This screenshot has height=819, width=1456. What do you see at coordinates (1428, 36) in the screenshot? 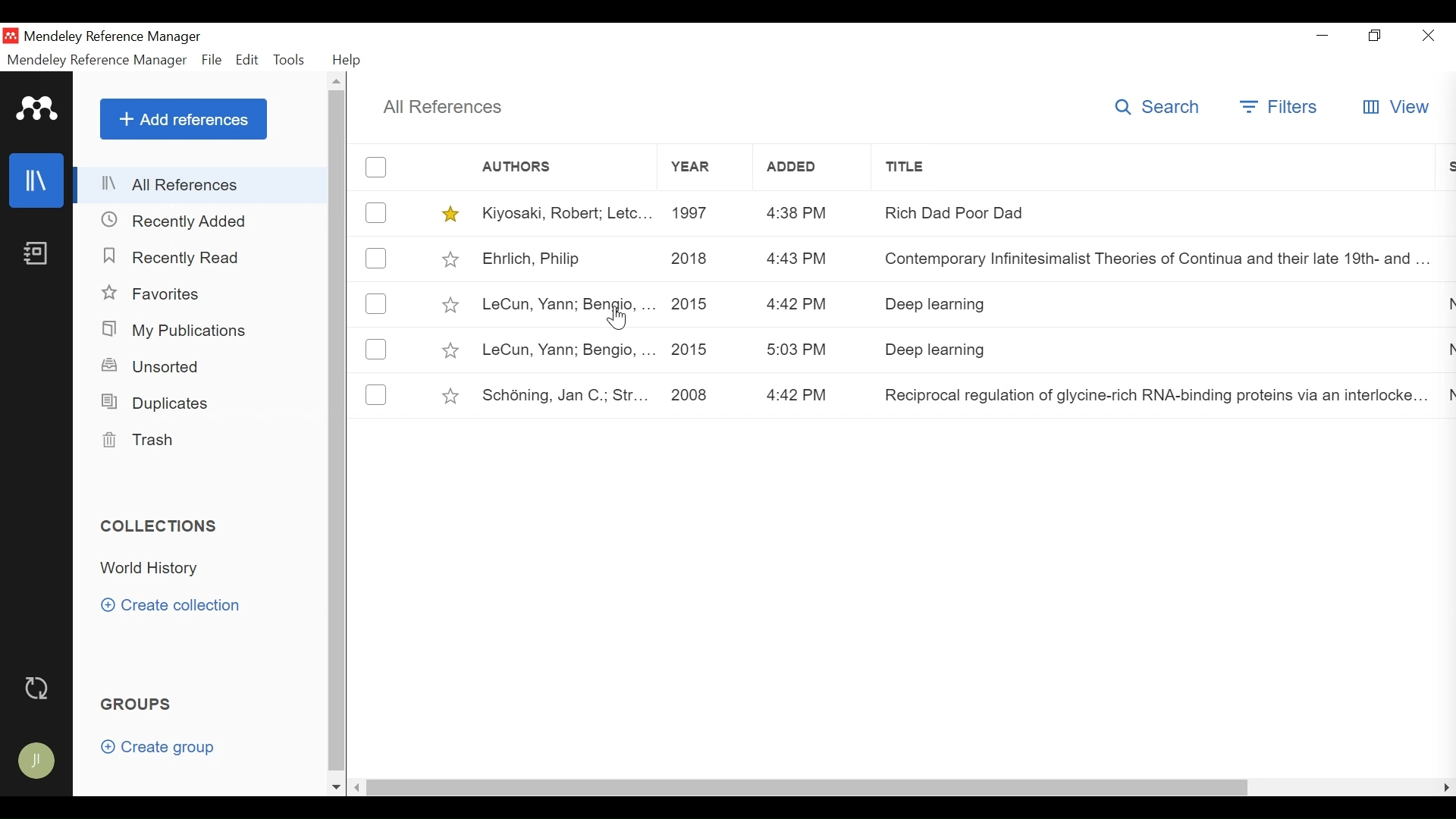
I see `Close` at bounding box center [1428, 36].